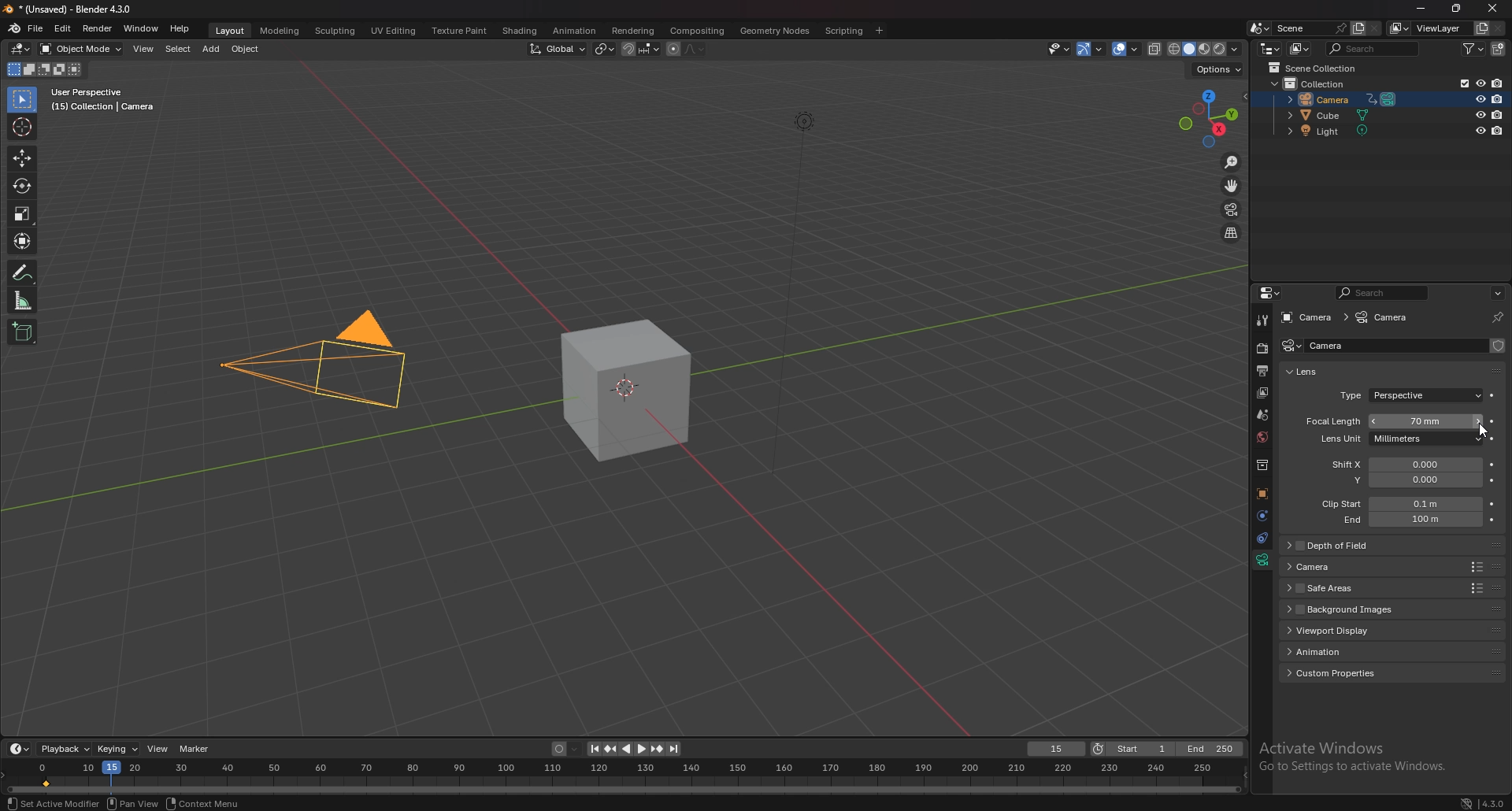  I want to click on physics, so click(1261, 515).